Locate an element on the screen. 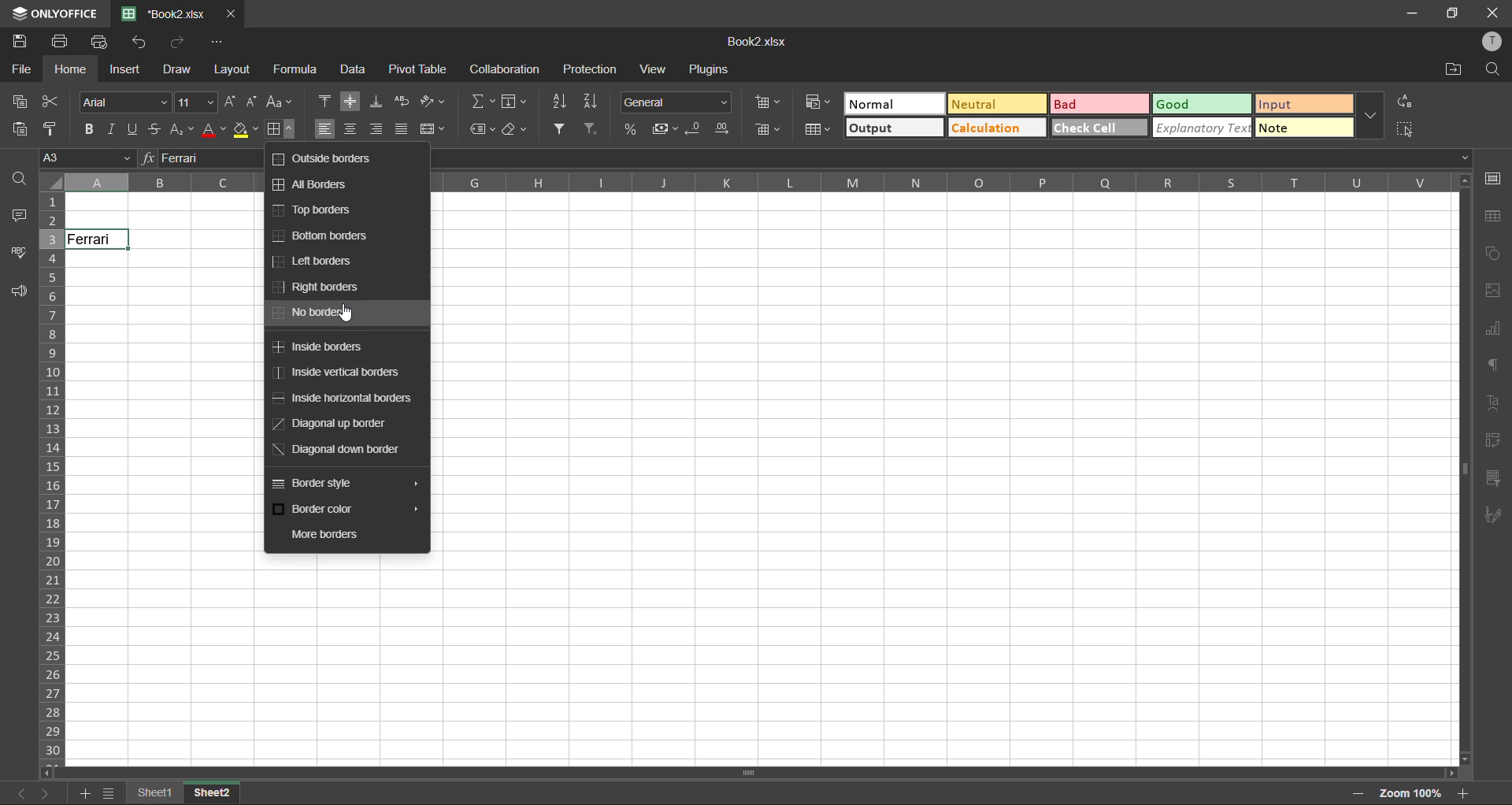 This screenshot has height=805, width=1512. bottom borders is located at coordinates (322, 235).